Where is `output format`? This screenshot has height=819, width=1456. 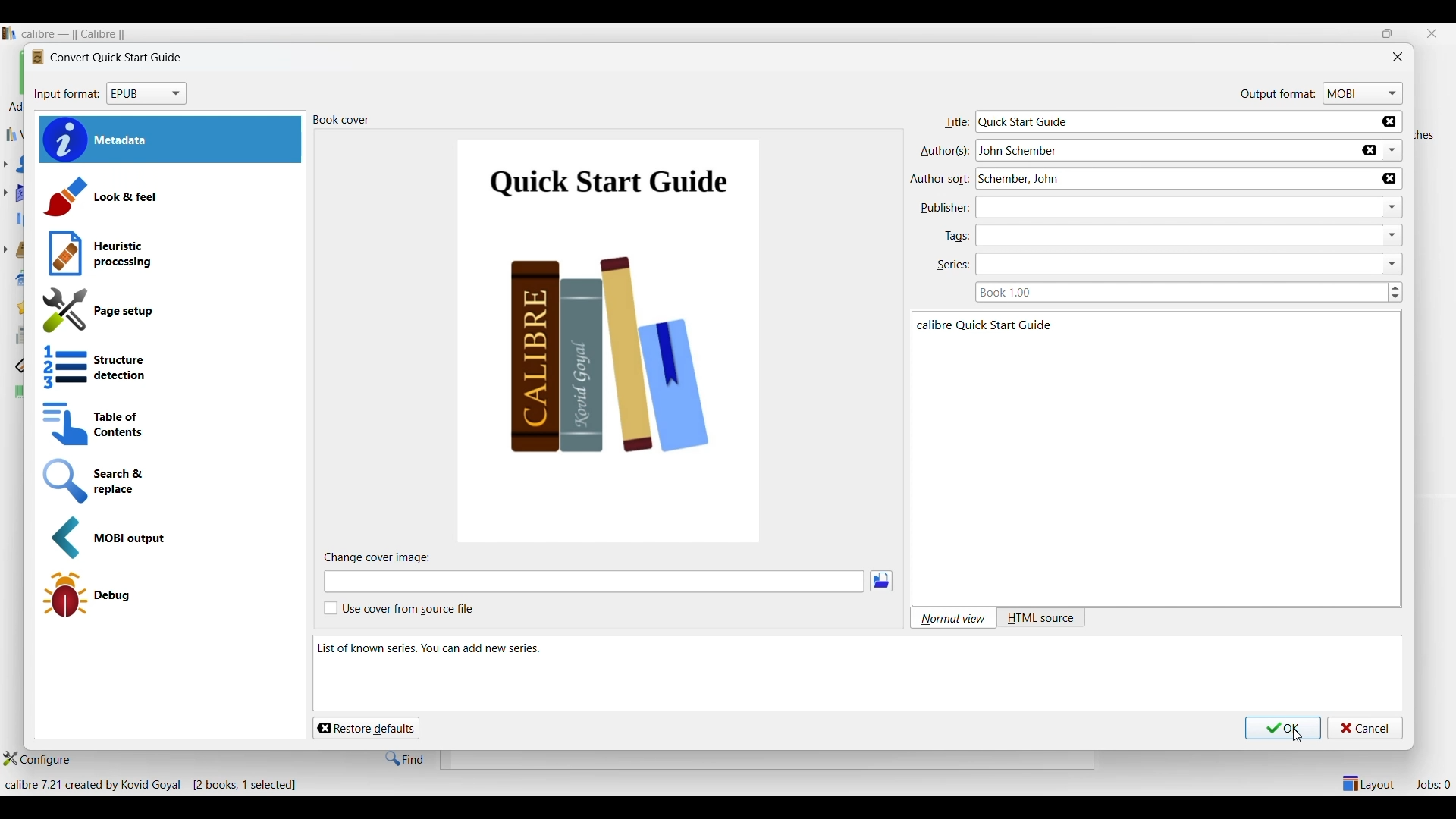 output format is located at coordinates (1277, 93).